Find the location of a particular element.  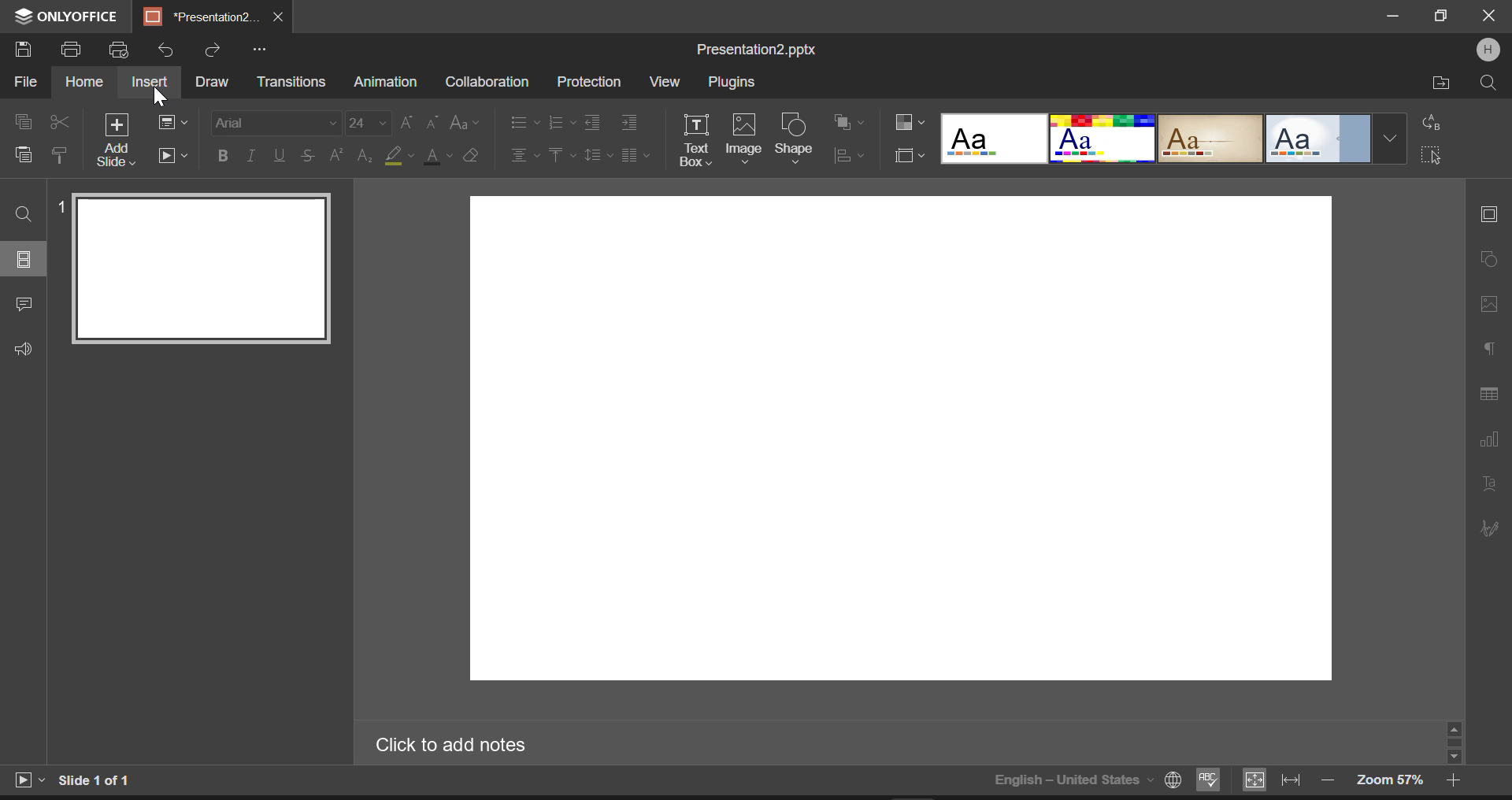

Slide 1 of 1 is located at coordinates (98, 780).